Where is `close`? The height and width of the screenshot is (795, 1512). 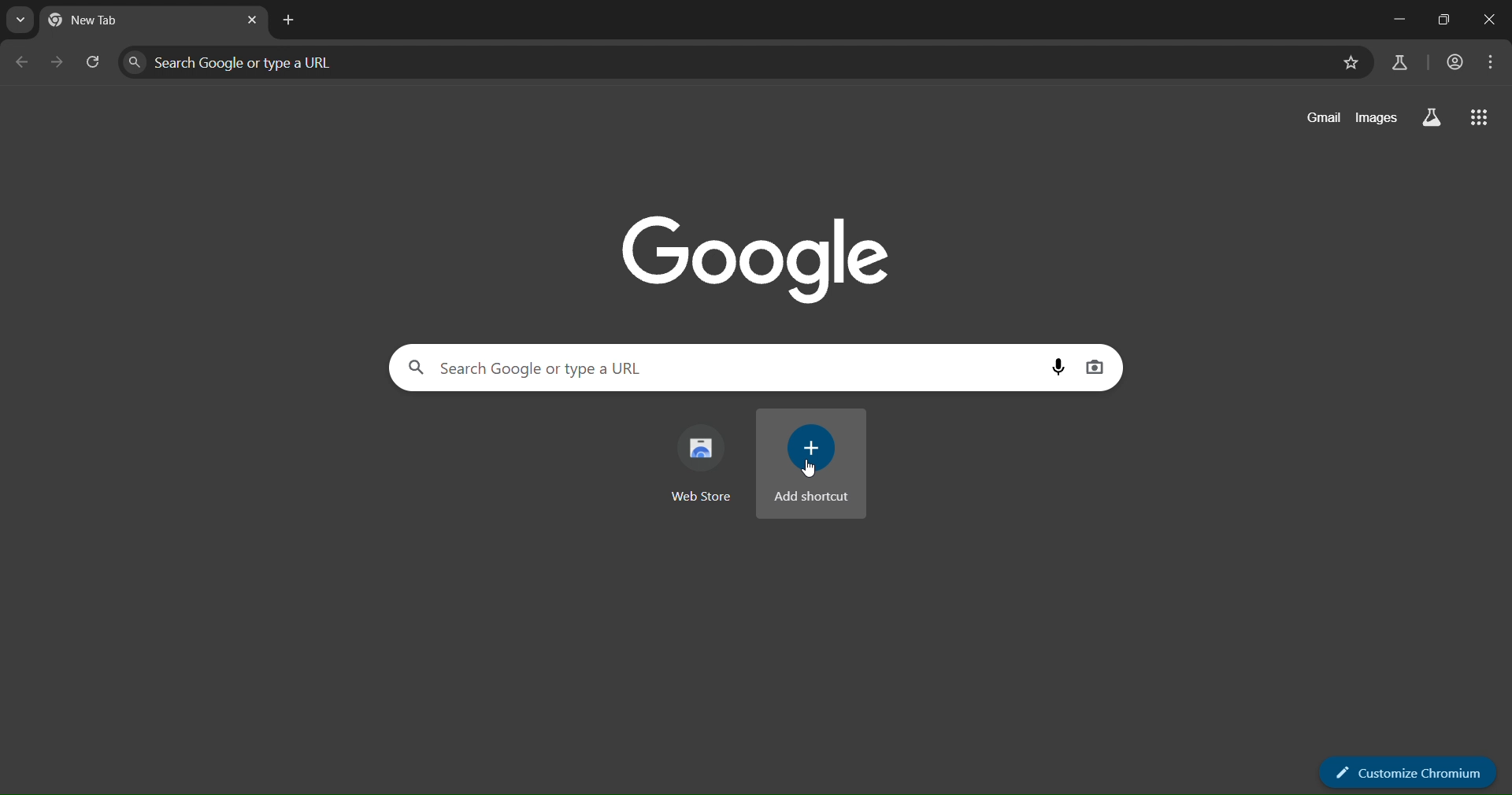 close is located at coordinates (1488, 20).